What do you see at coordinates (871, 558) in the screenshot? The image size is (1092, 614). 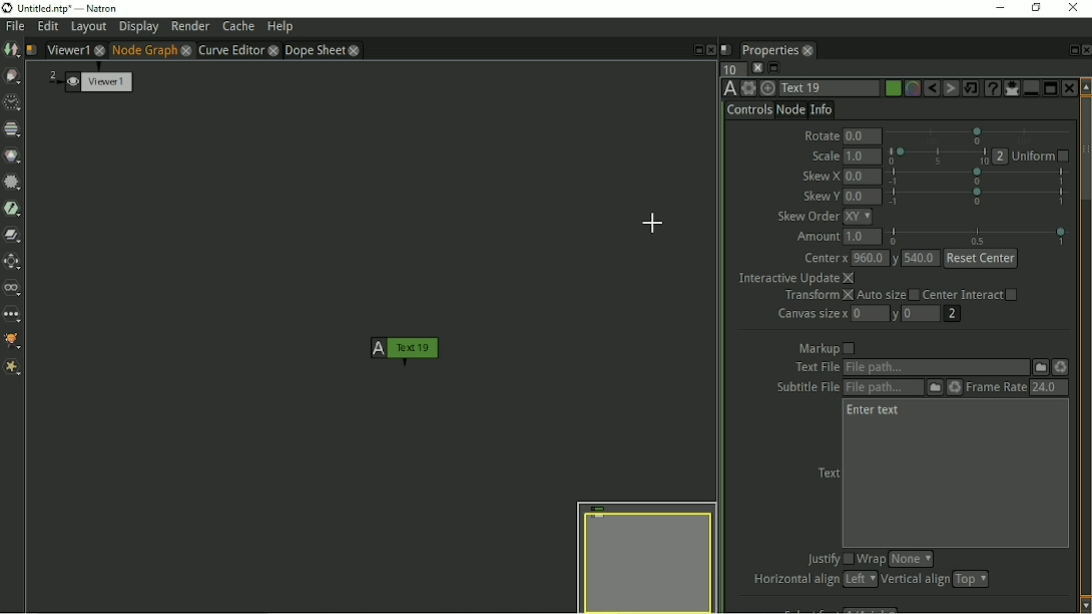 I see `Wrap` at bounding box center [871, 558].